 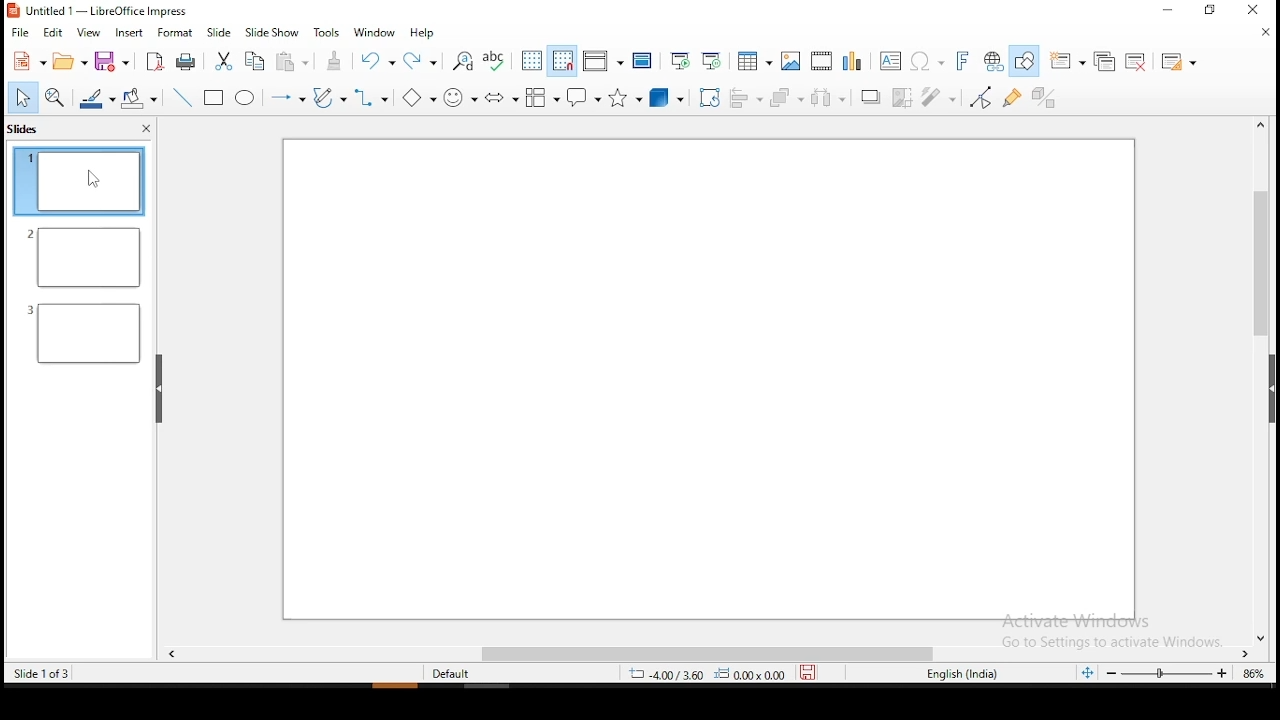 What do you see at coordinates (904, 97) in the screenshot?
I see `crop image` at bounding box center [904, 97].